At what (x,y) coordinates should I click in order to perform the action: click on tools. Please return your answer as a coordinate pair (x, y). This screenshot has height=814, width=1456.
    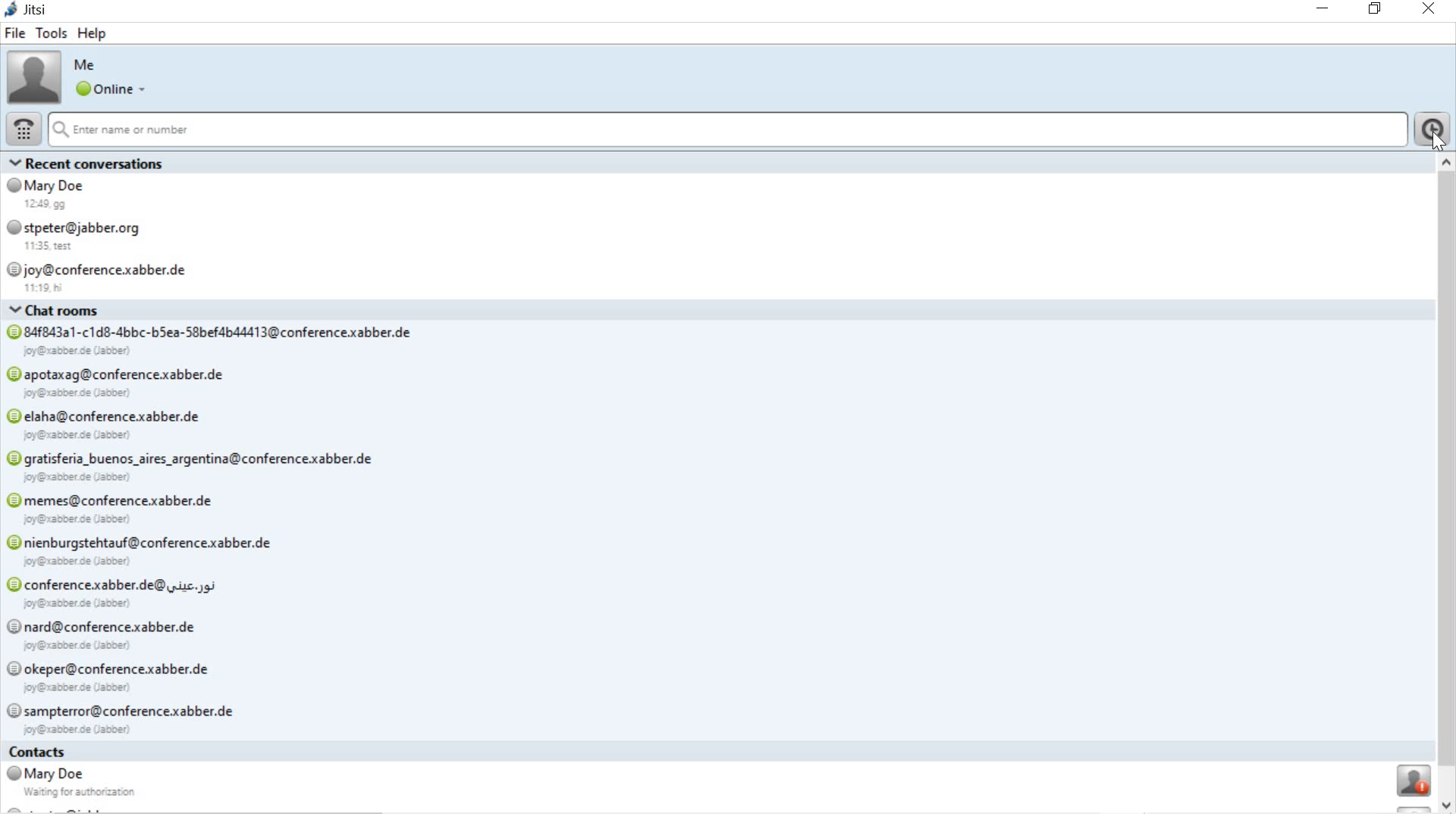
    Looking at the image, I should click on (51, 33).